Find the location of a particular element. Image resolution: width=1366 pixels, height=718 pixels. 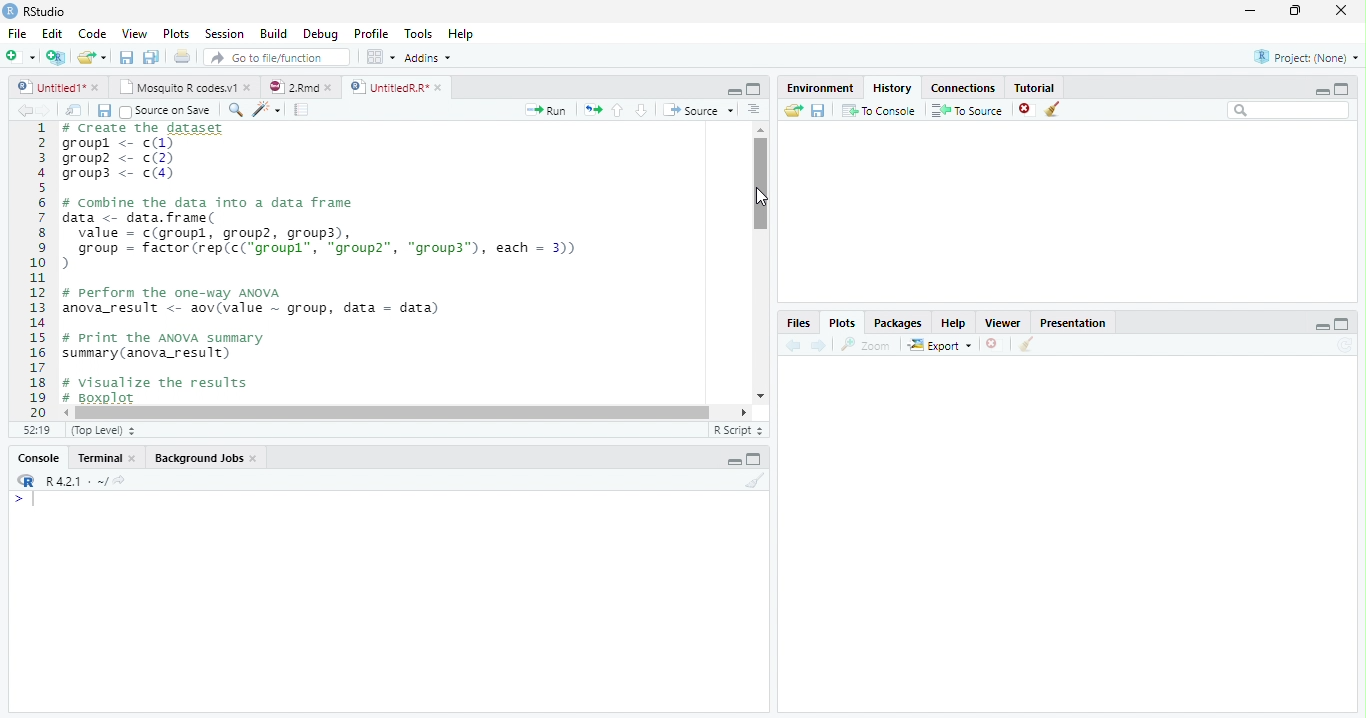

Save all is located at coordinates (108, 112).